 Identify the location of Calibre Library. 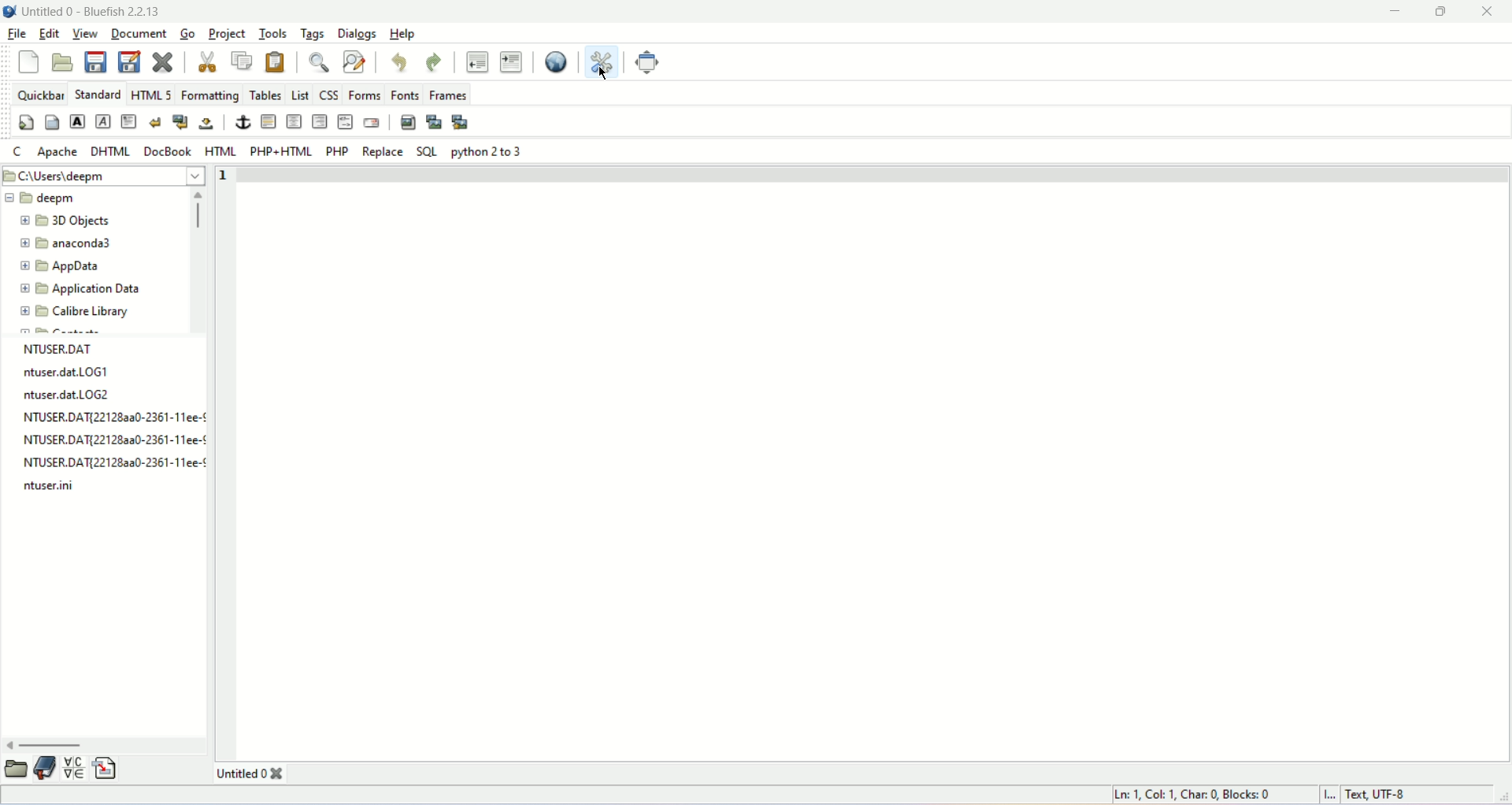
(92, 313).